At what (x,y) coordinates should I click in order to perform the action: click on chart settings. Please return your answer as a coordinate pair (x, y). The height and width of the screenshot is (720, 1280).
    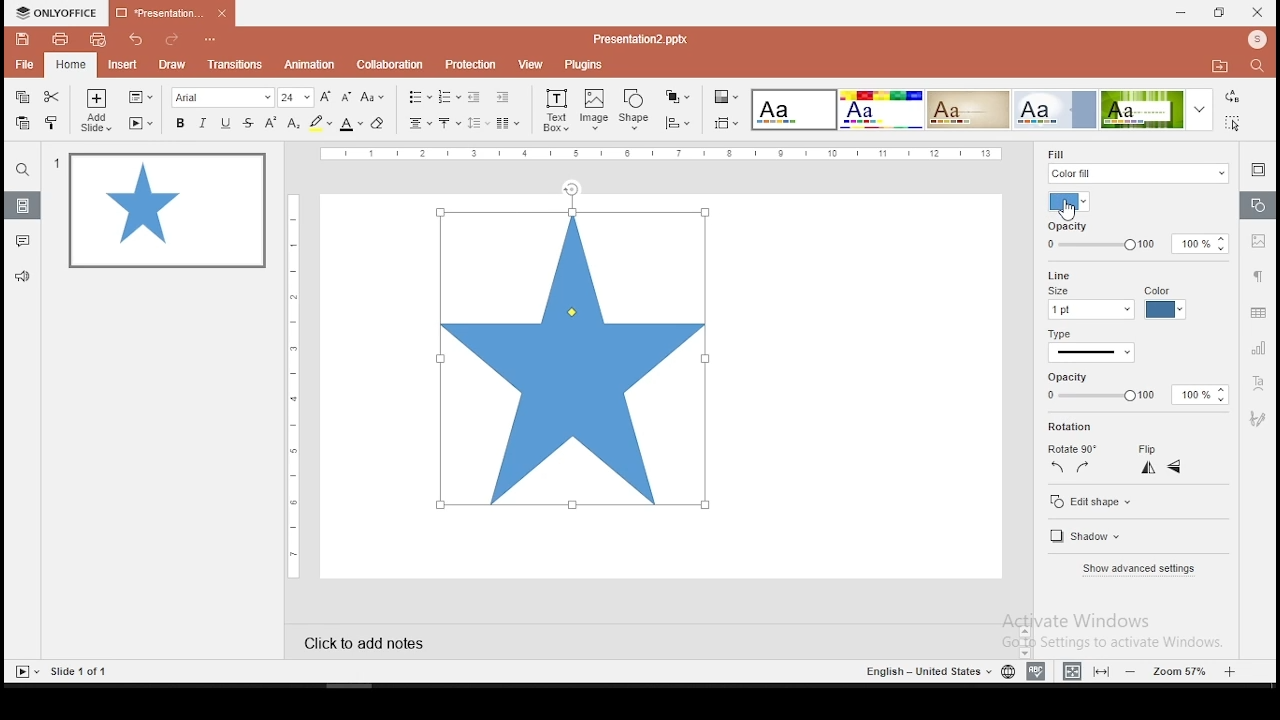
    Looking at the image, I should click on (1256, 347).